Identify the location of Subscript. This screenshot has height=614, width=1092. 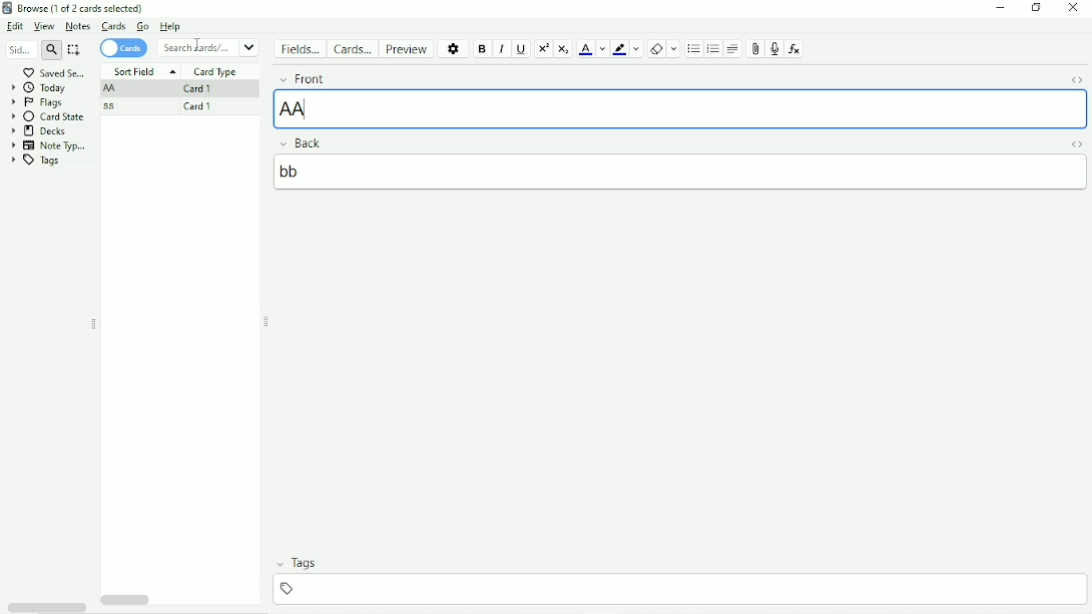
(564, 49).